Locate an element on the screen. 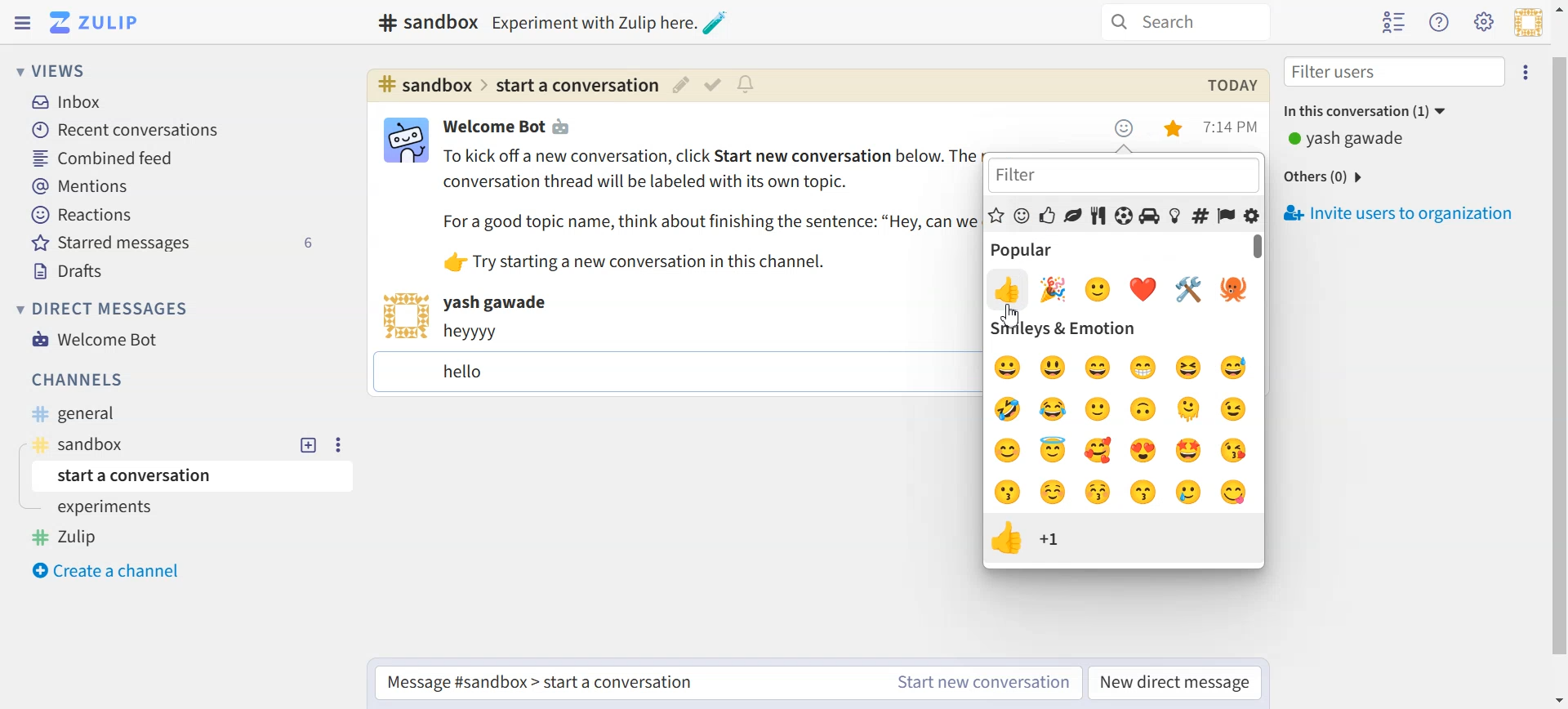 This screenshot has height=709, width=1568. Animal and nature is located at coordinates (1073, 216).